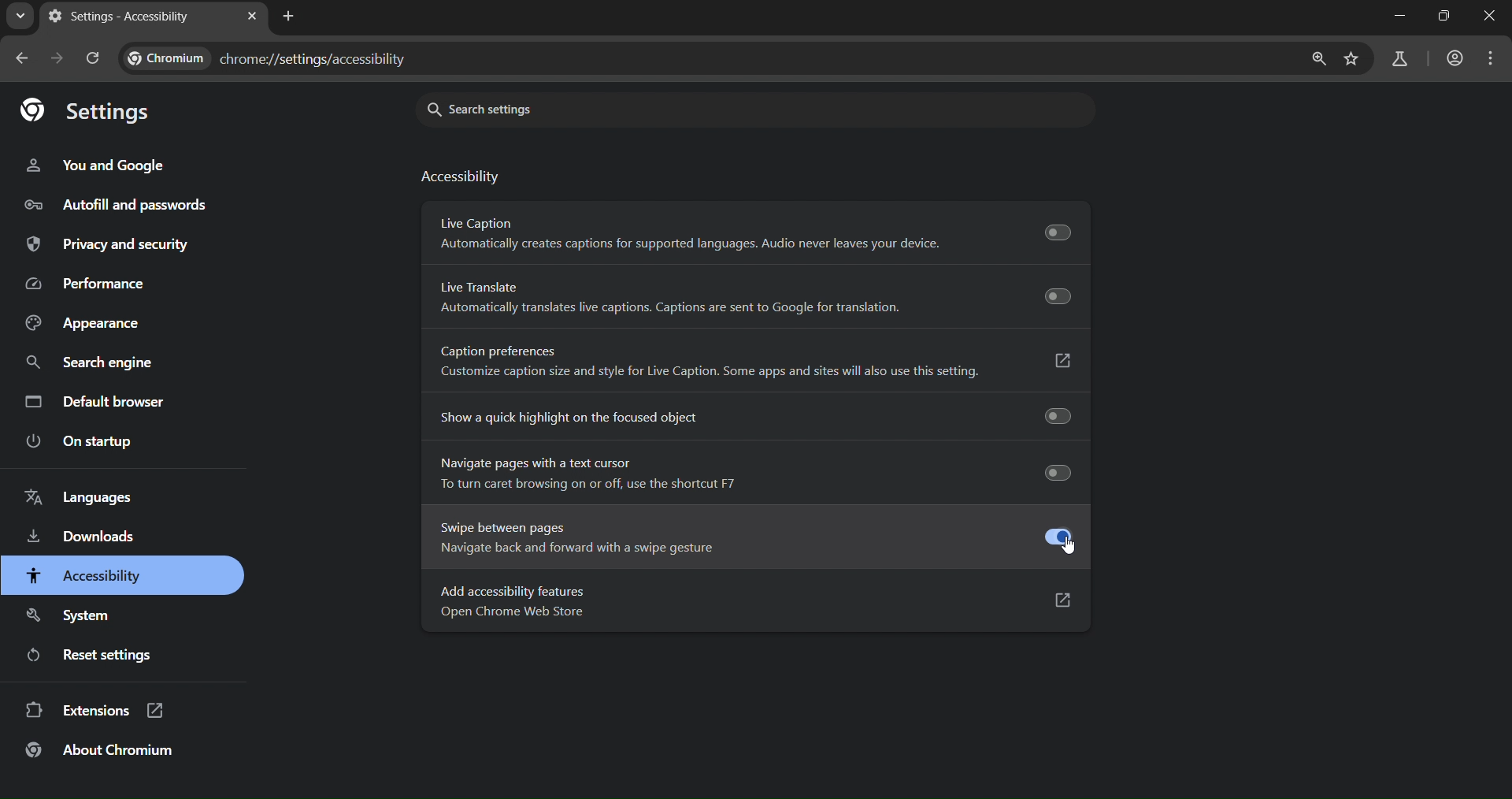 This screenshot has width=1512, height=799. Describe the element at coordinates (100, 657) in the screenshot. I see `reset settings` at that location.